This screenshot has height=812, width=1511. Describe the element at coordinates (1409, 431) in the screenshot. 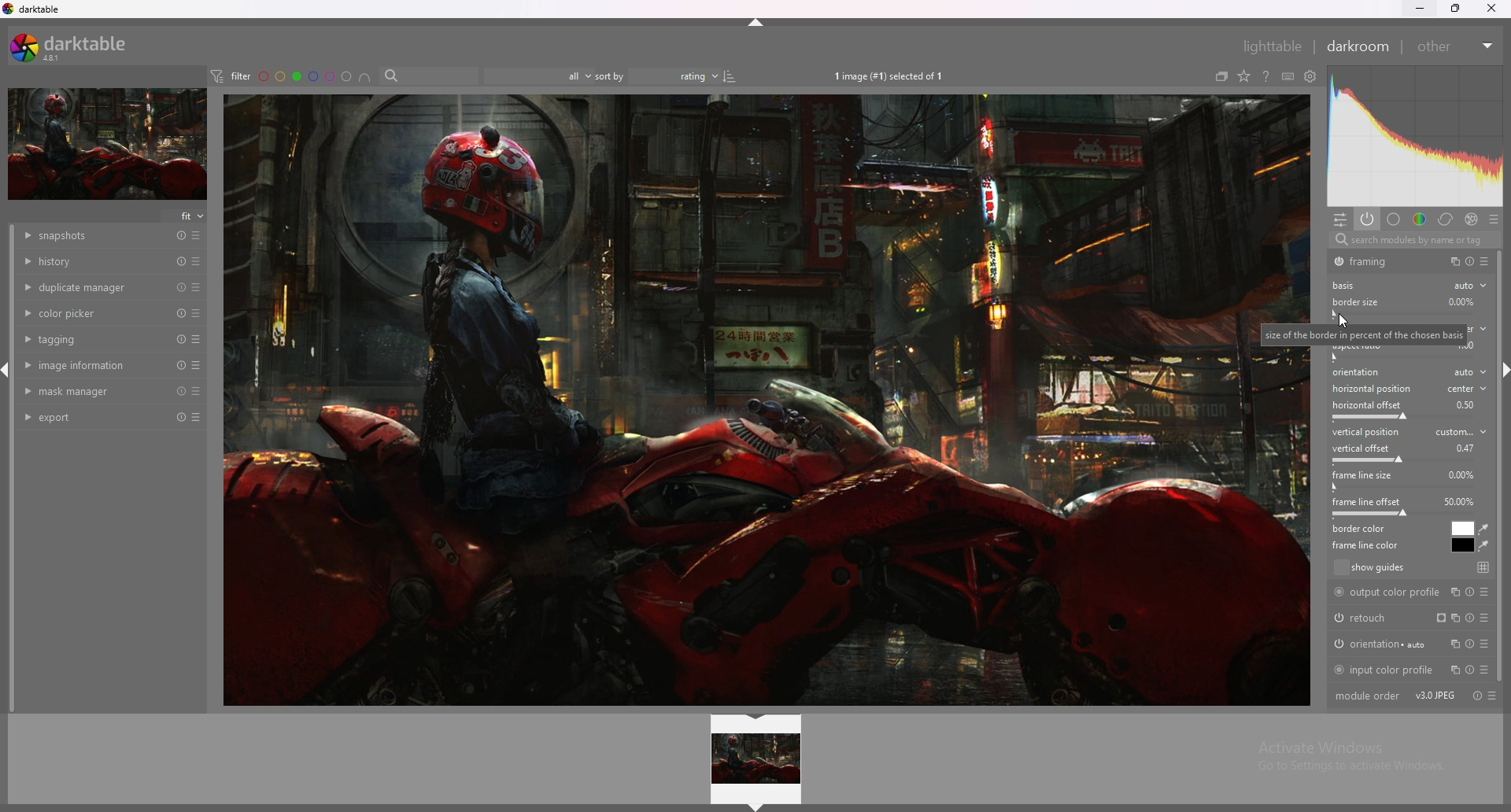

I see `vertical position` at that location.